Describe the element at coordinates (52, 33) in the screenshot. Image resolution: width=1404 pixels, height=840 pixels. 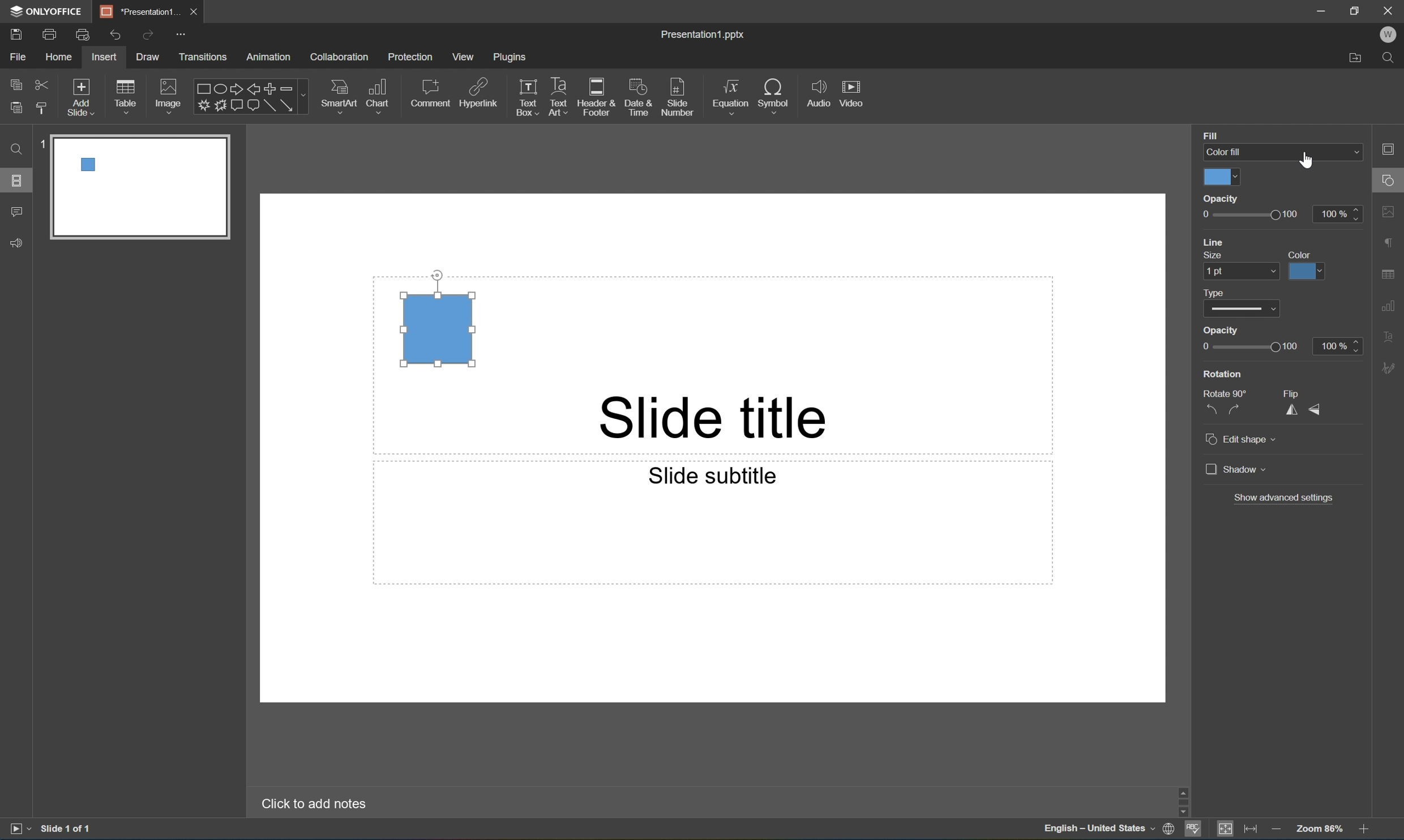
I see `Print file` at that location.